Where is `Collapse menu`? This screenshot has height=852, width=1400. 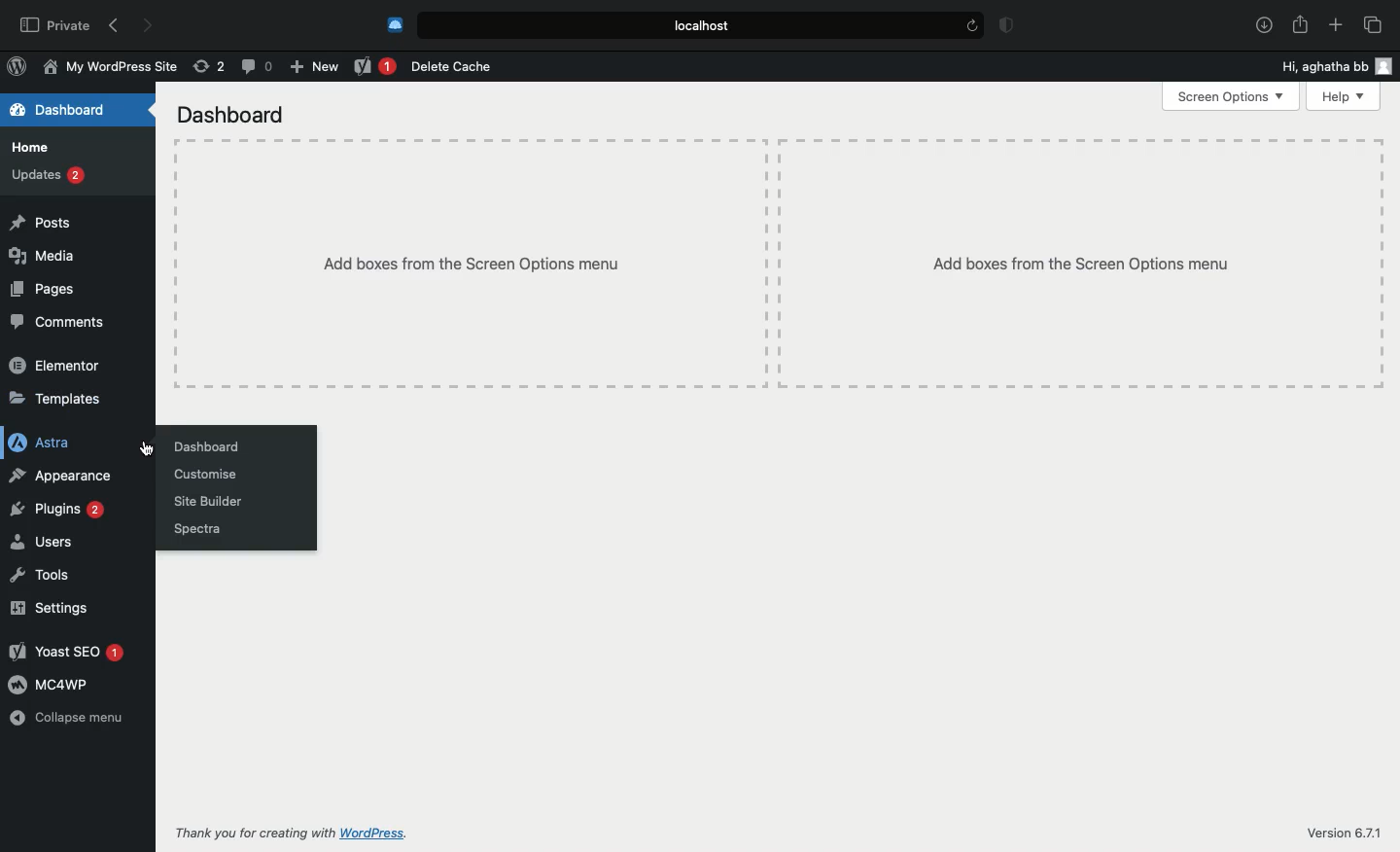 Collapse menu is located at coordinates (65, 717).